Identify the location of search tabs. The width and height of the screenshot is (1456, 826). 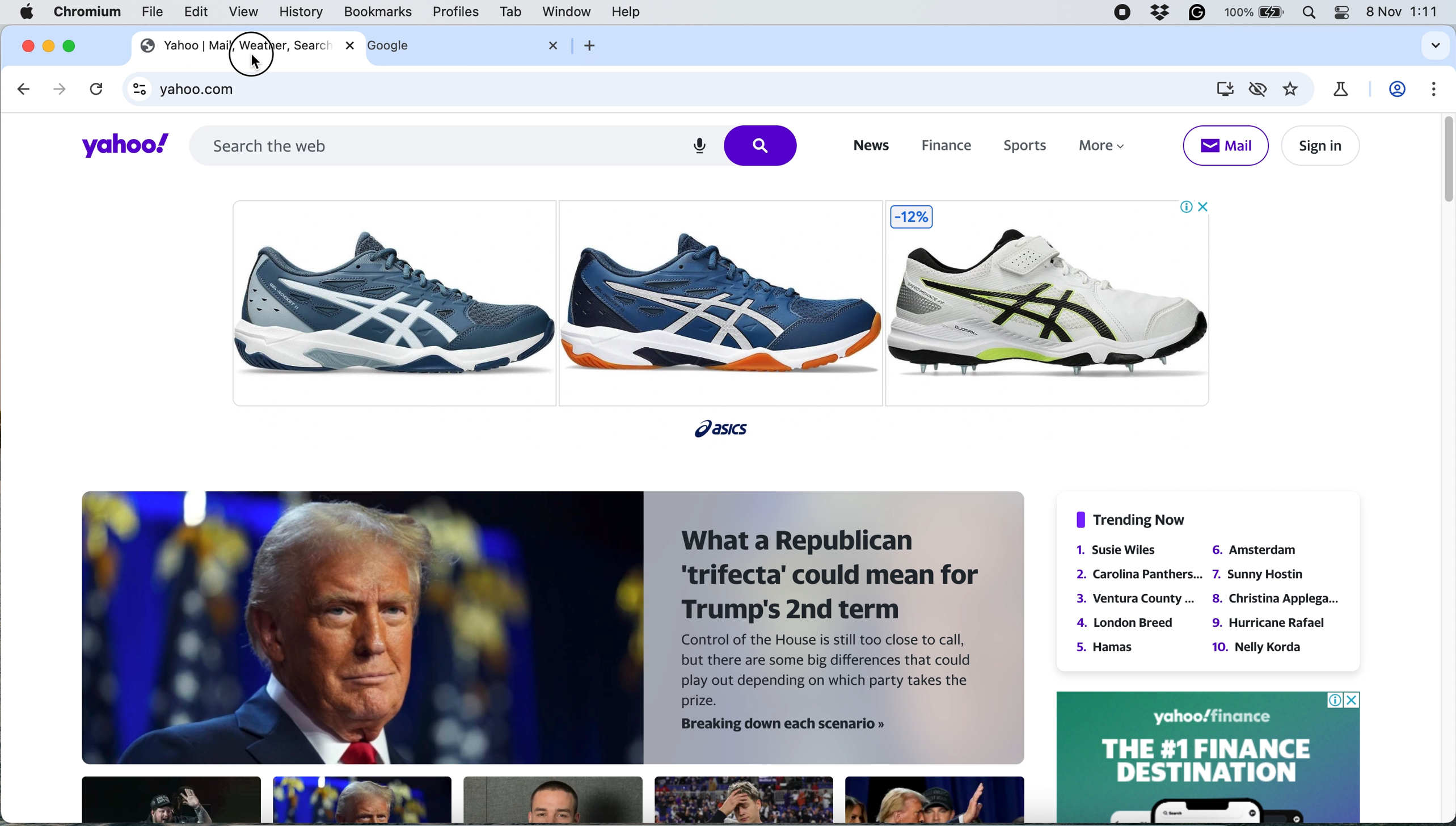
(1432, 47).